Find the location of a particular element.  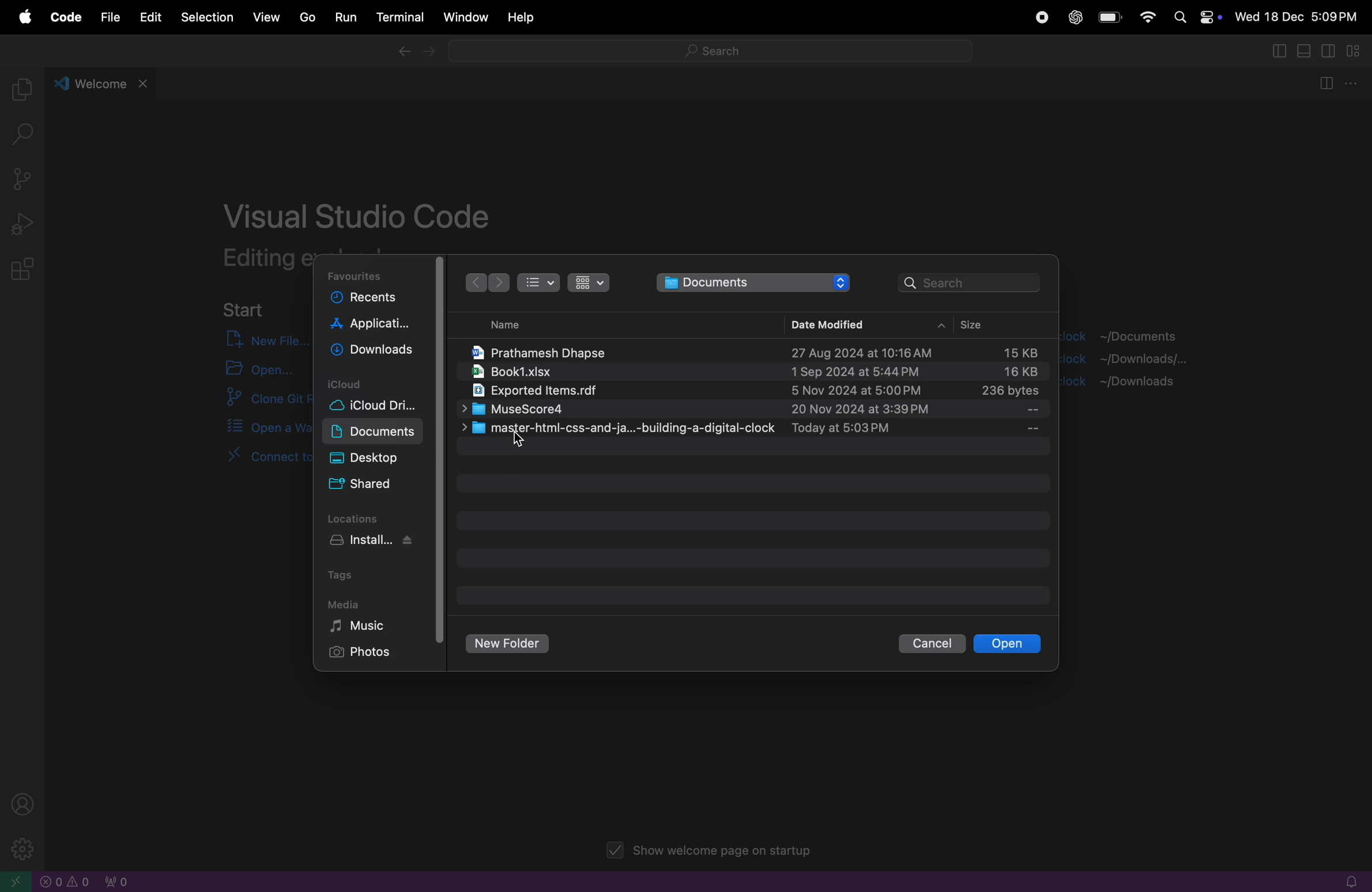

sort icons is located at coordinates (587, 282).